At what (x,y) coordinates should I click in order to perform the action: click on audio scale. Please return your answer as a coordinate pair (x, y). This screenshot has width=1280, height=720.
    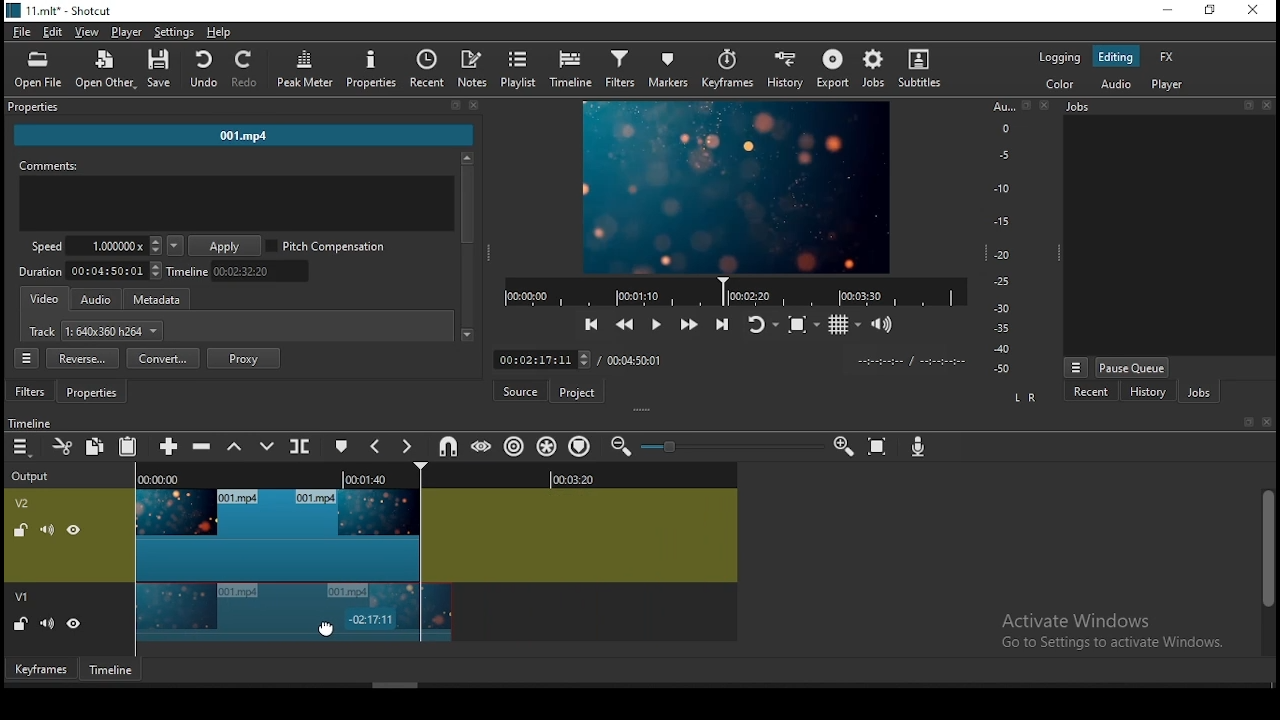
    Looking at the image, I should click on (1017, 239).